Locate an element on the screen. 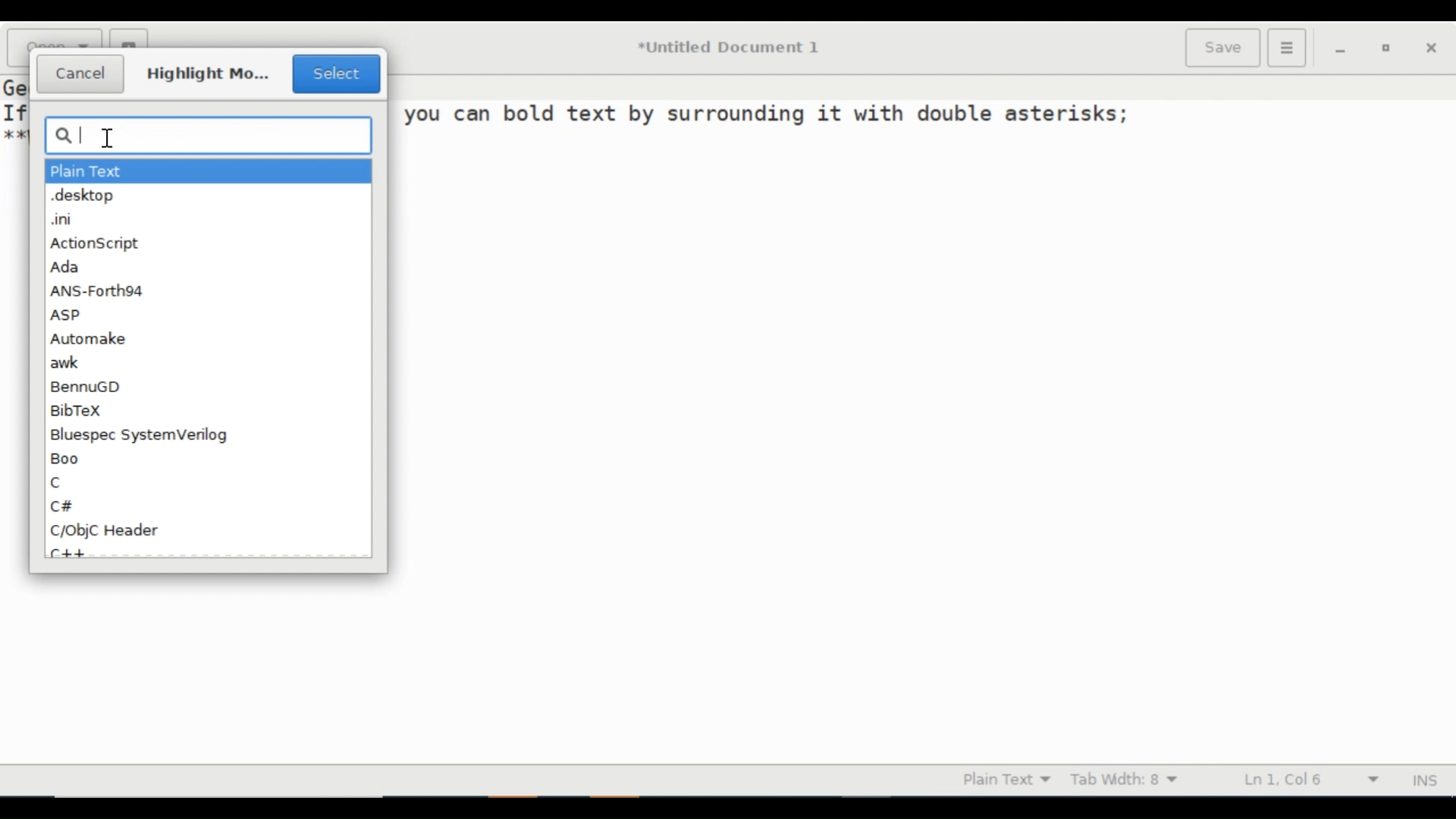 This screenshot has width=1456, height=819. Boo is located at coordinates (67, 460).